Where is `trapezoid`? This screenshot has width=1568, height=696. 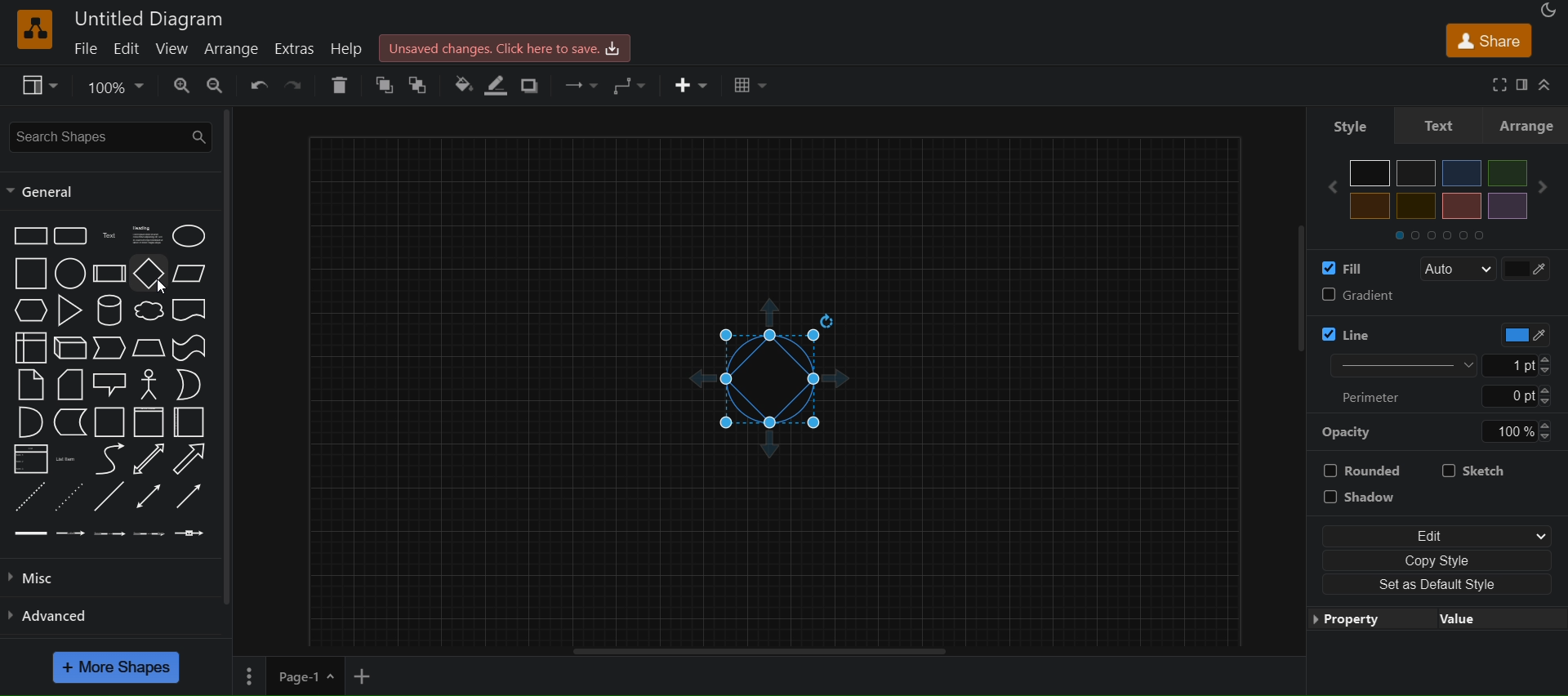
trapezoid is located at coordinates (149, 348).